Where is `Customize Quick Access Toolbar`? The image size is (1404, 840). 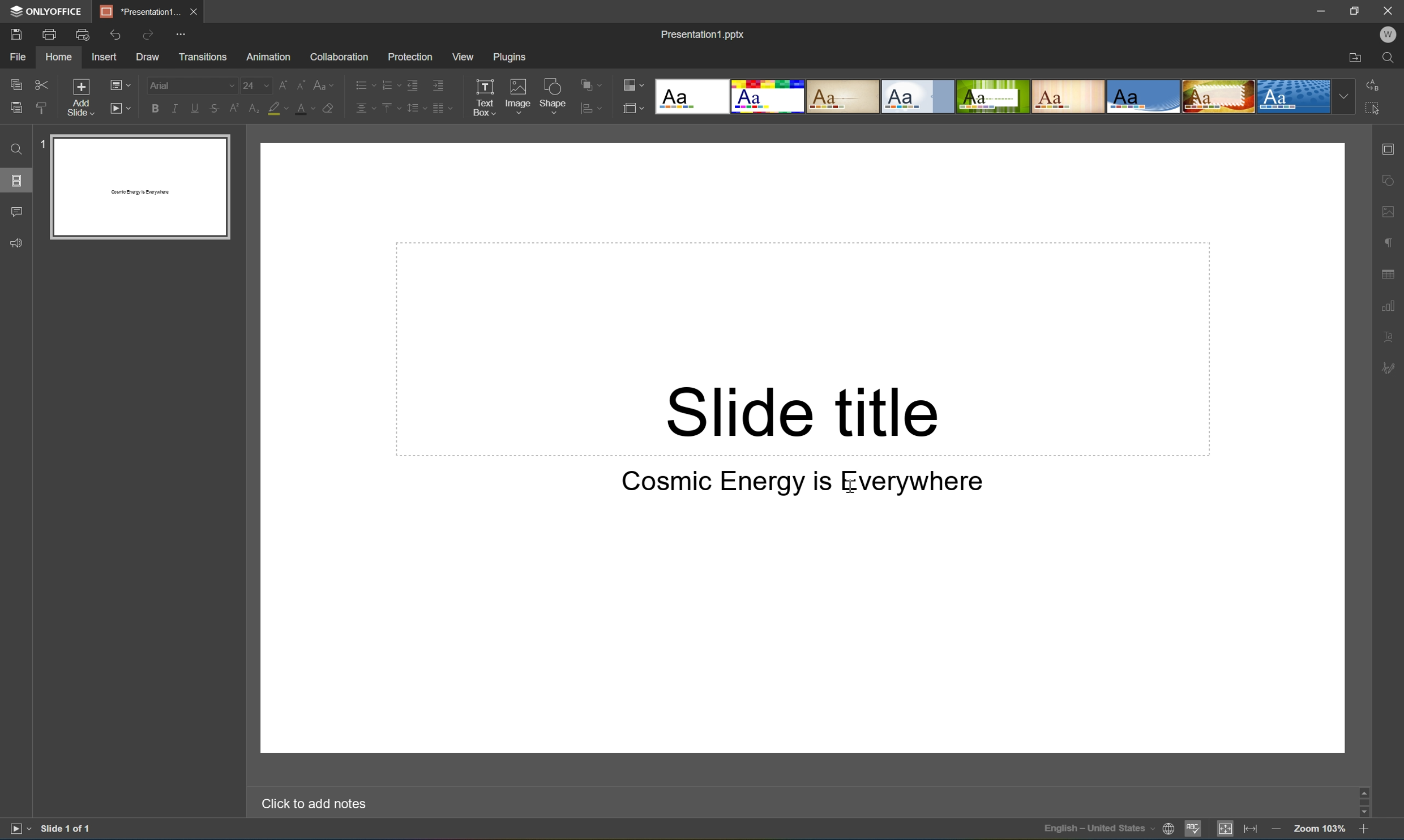 Customize Quick Access Toolbar is located at coordinates (179, 35).